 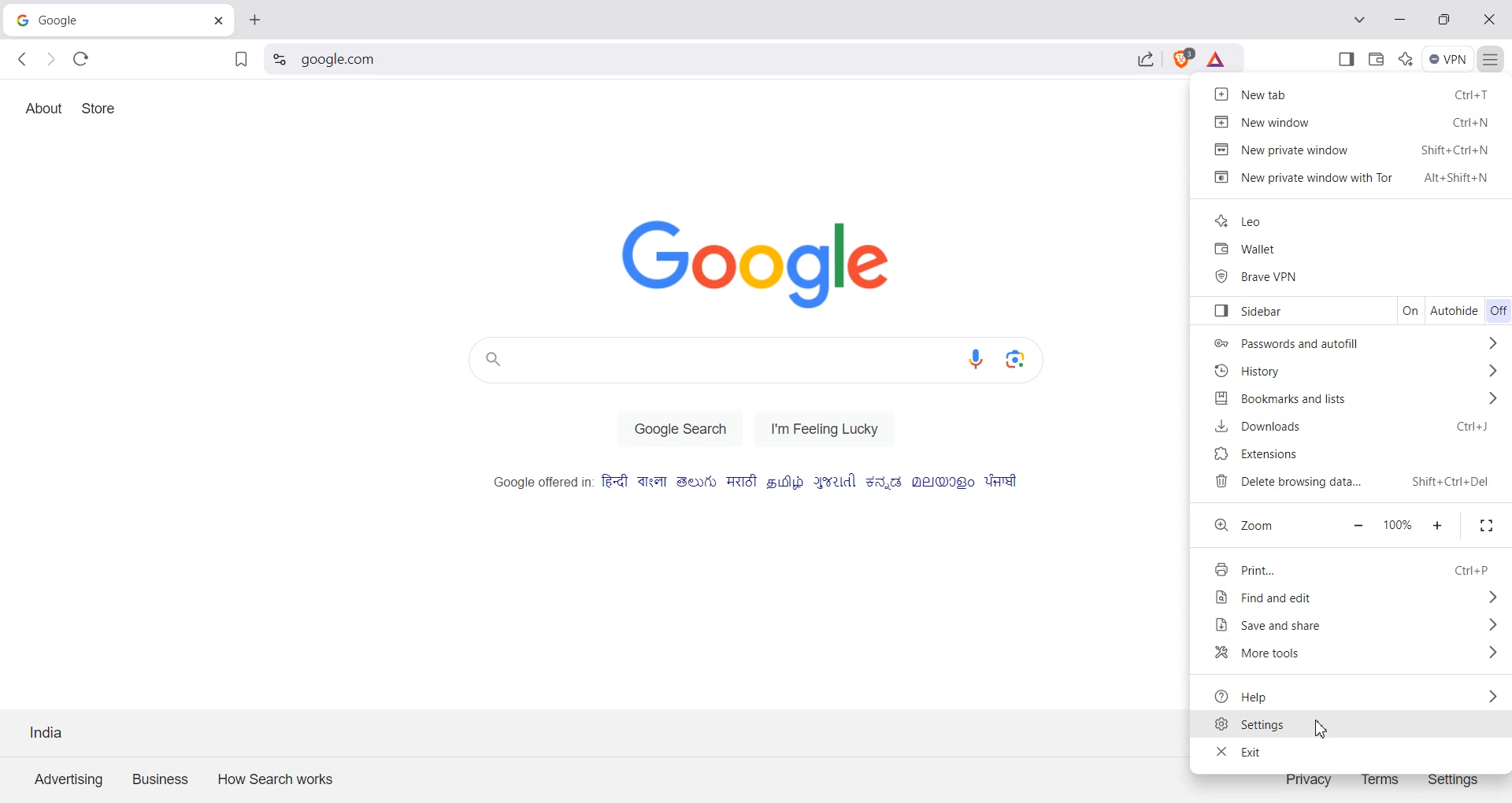 I want to click on Delete browsing data, so click(x=1360, y=483).